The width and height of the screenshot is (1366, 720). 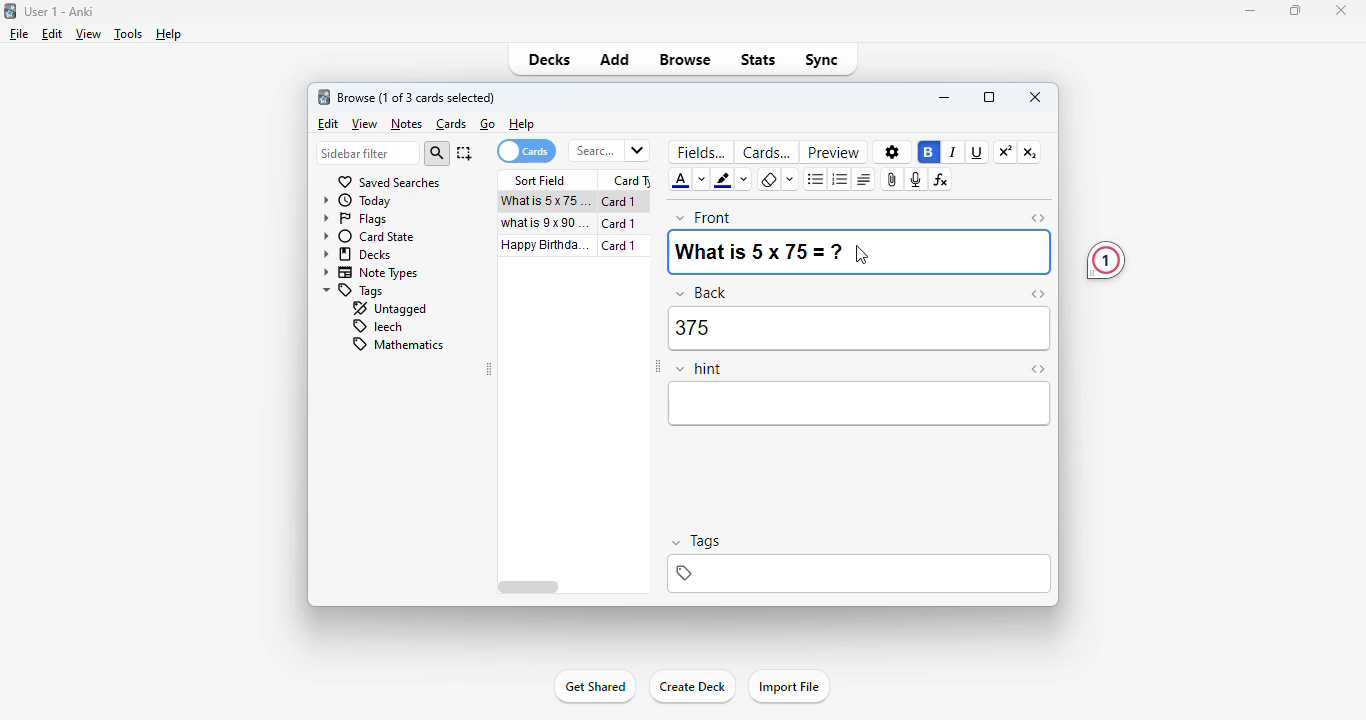 What do you see at coordinates (522, 124) in the screenshot?
I see `help` at bounding box center [522, 124].